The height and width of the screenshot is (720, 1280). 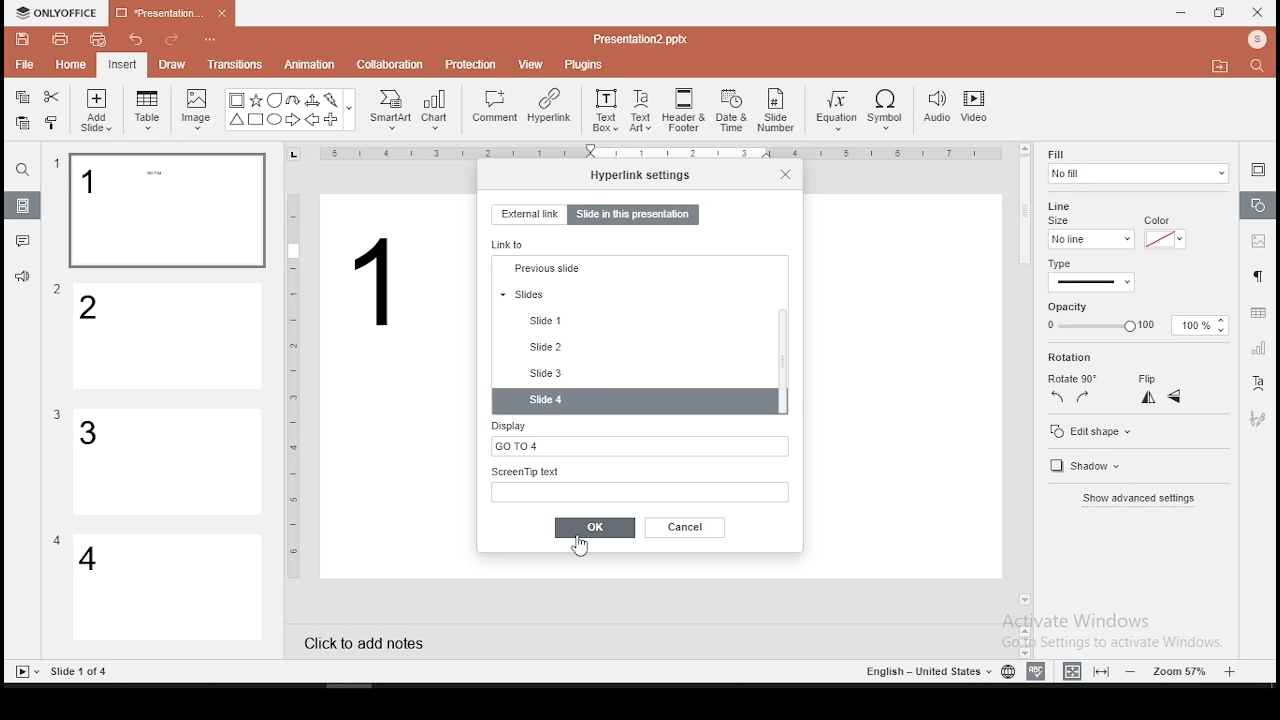 What do you see at coordinates (21, 123) in the screenshot?
I see `paste` at bounding box center [21, 123].